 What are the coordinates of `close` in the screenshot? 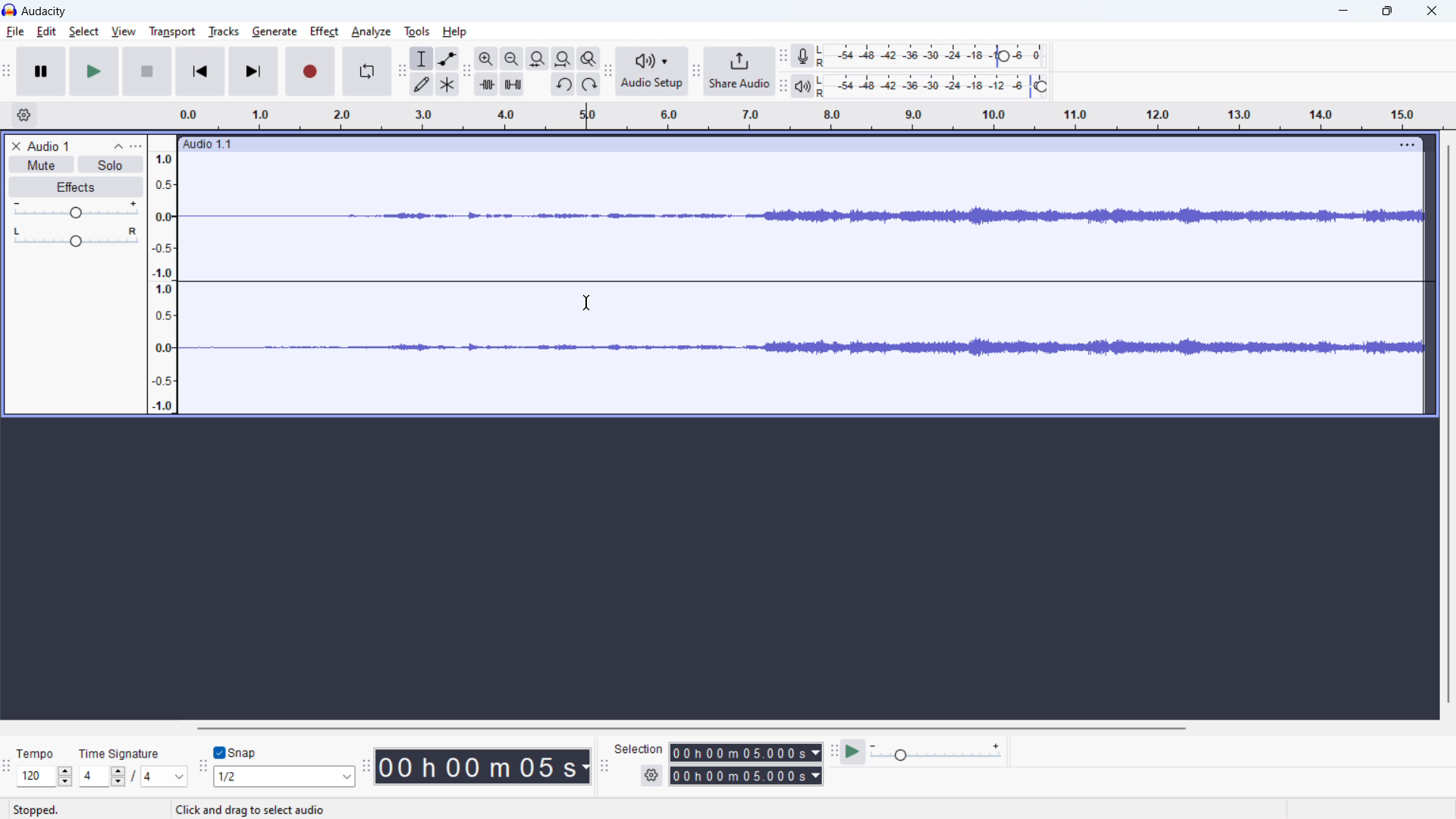 It's located at (1429, 11).